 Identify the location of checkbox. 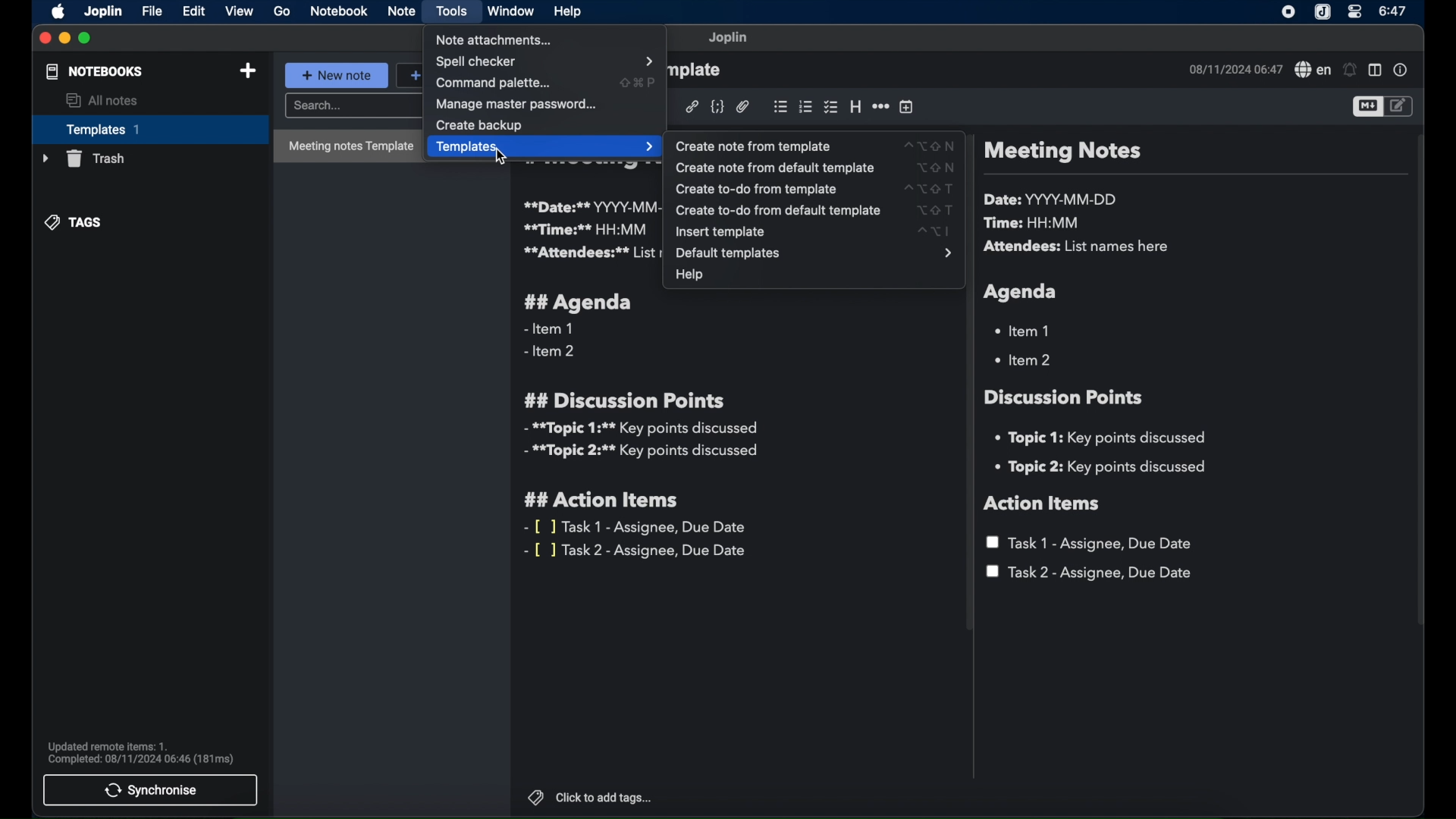
(830, 107).